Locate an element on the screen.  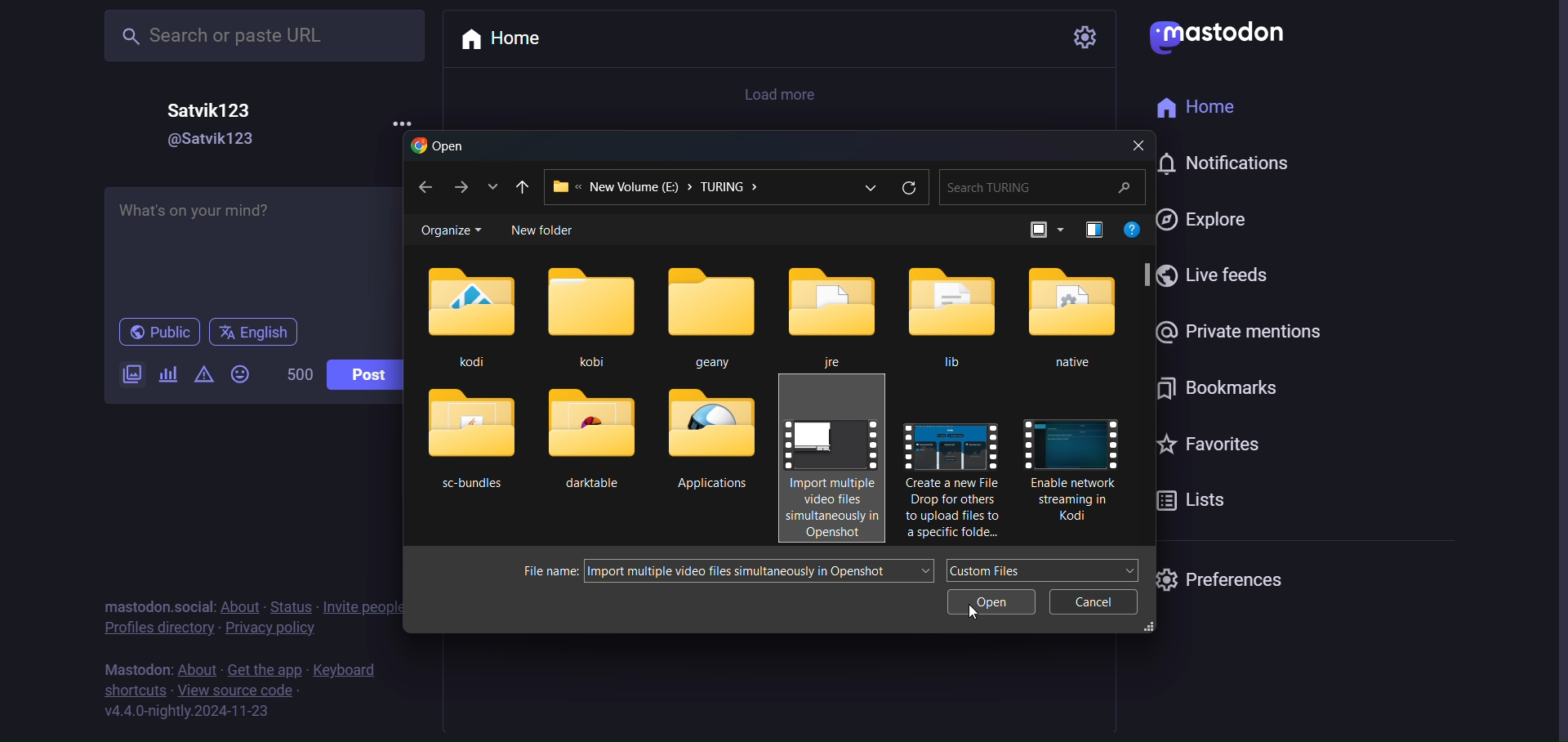
setting is located at coordinates (1081, 38).